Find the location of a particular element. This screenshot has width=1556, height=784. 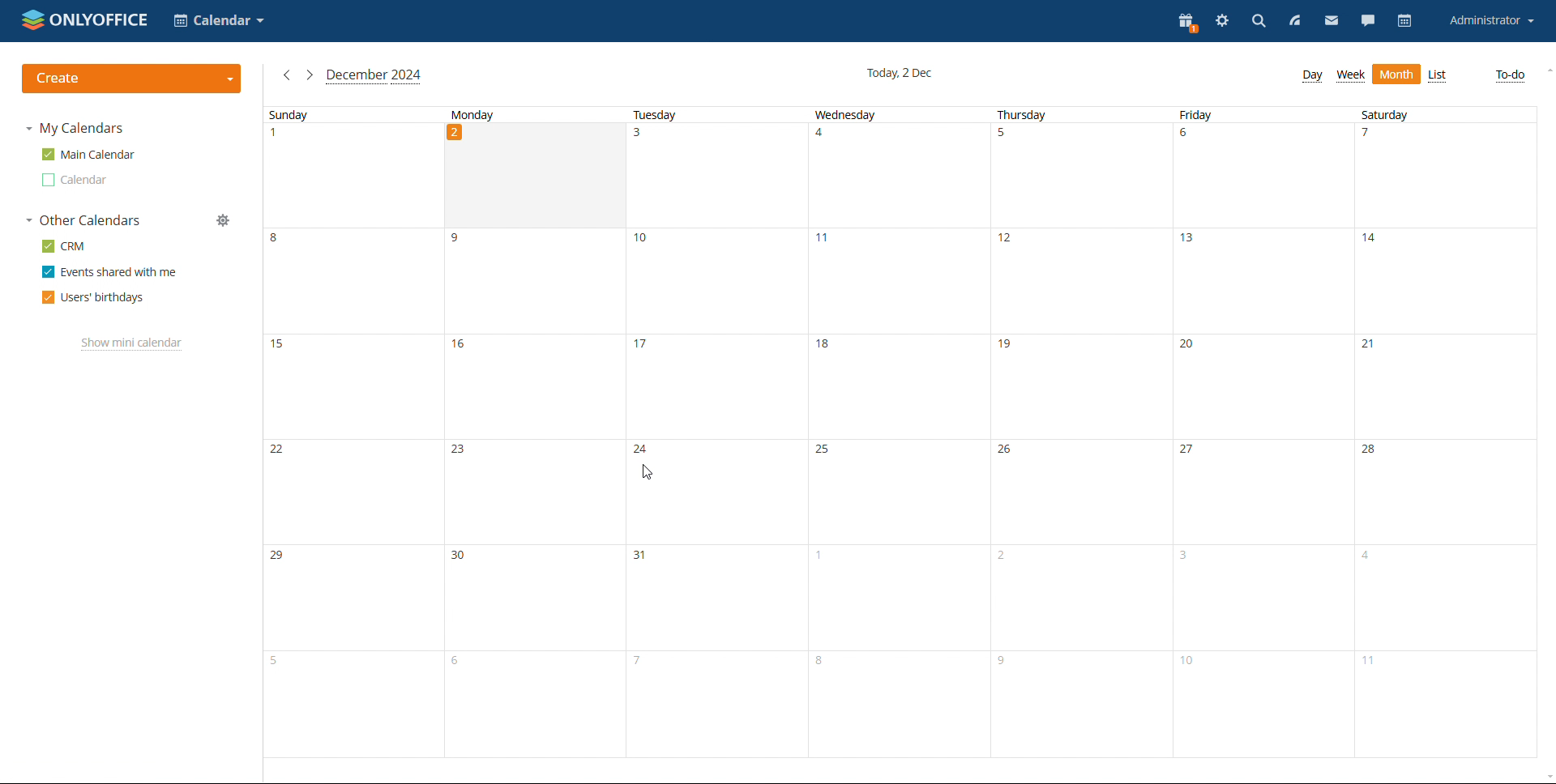

users' birthdays is located at coordinates (92, 297).